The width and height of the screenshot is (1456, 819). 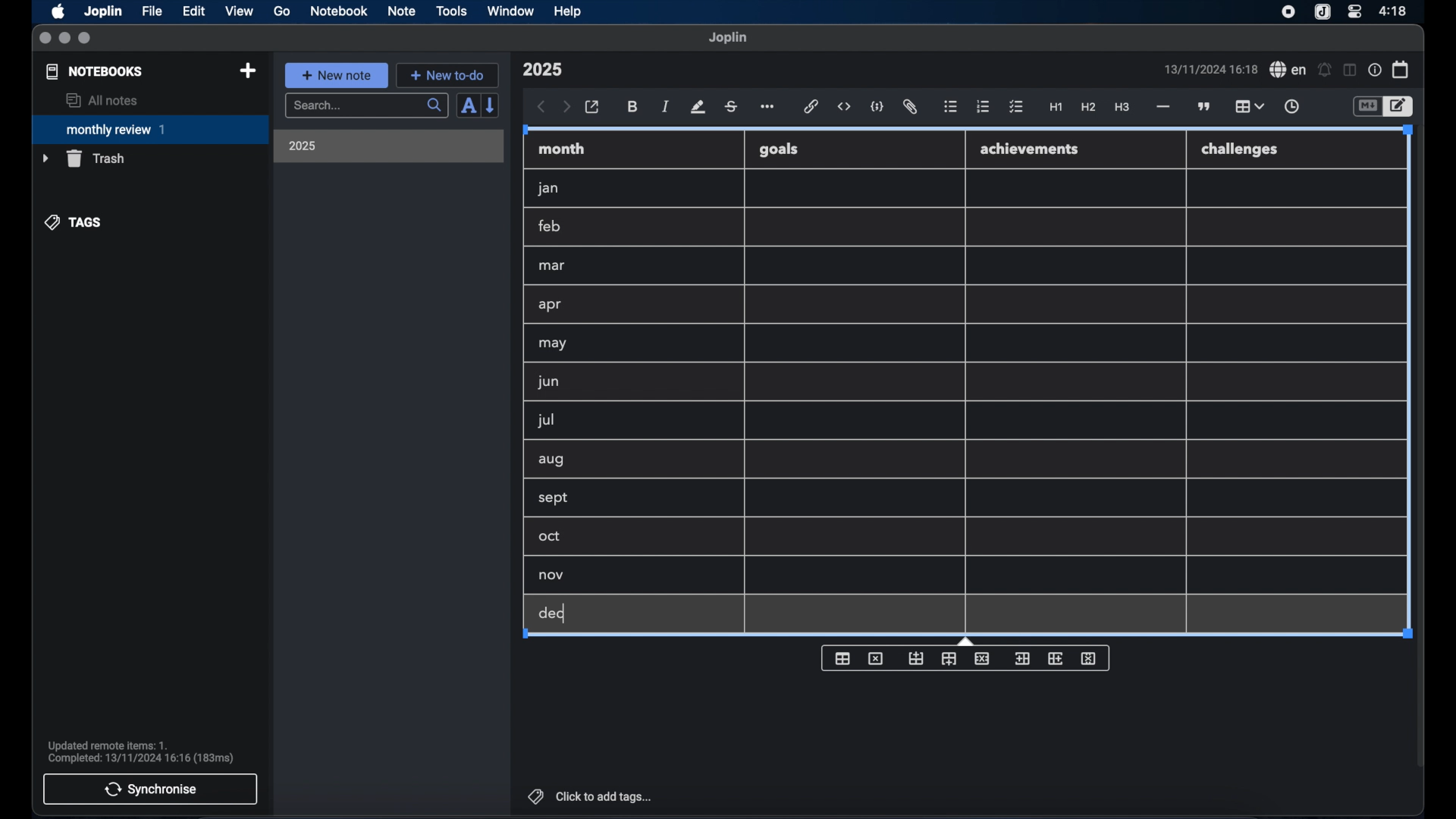 What do you see at coordinates (1056, 108) in the screenshot?
I see `heading 1` at bounding box center [1056, 108].